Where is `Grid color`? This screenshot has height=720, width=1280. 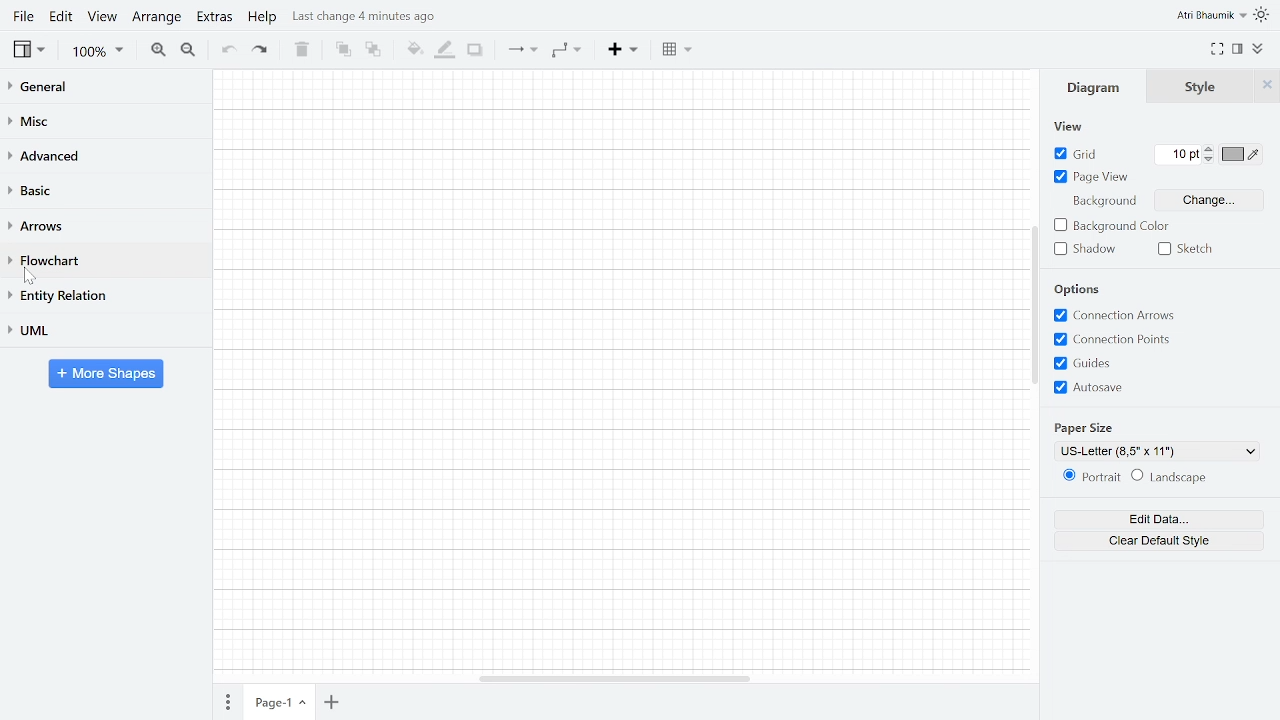
Grid color is located at coordinates (1242, 154).